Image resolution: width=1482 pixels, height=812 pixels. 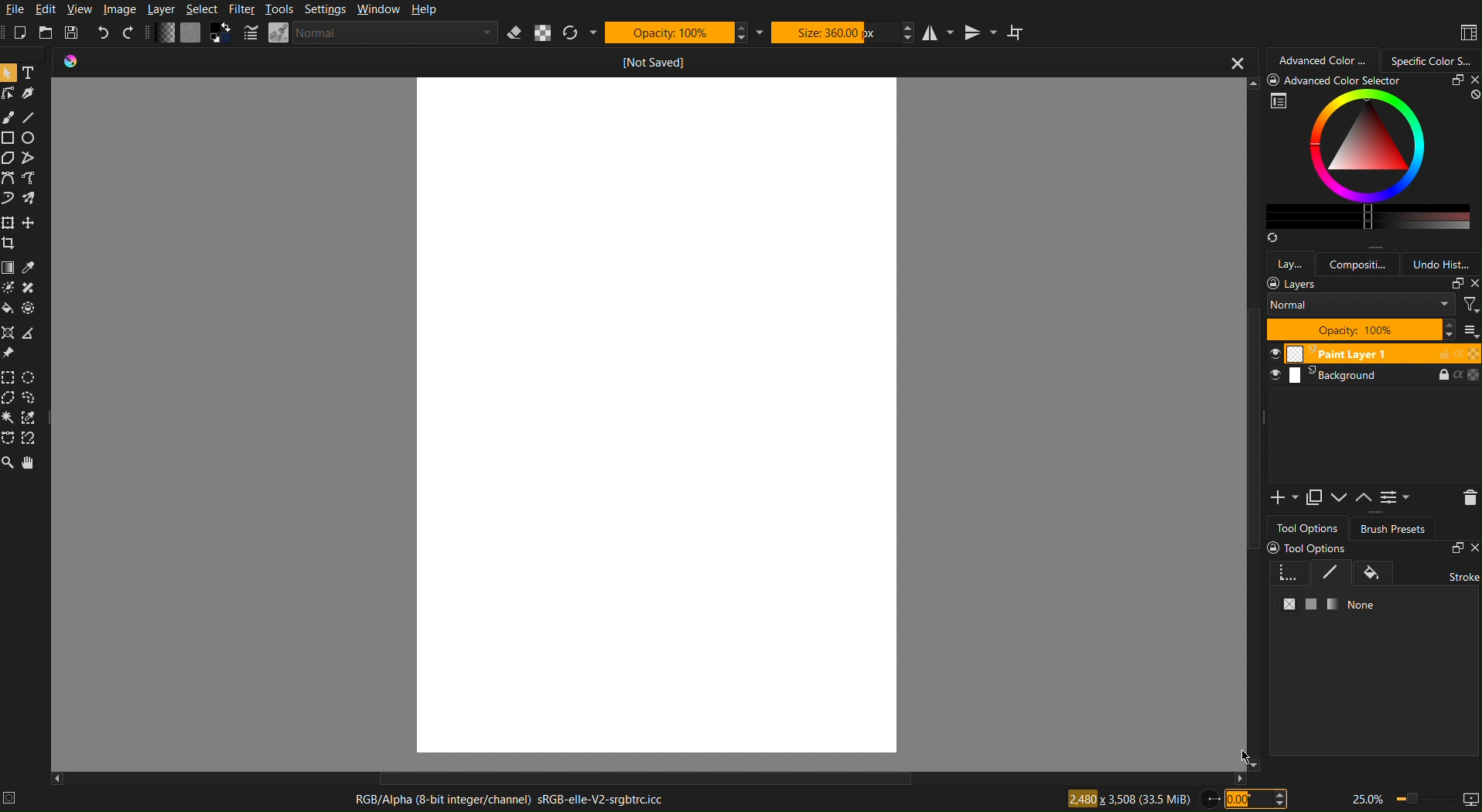 I want to click on Dodge Tool, so click(x=9, y=287).